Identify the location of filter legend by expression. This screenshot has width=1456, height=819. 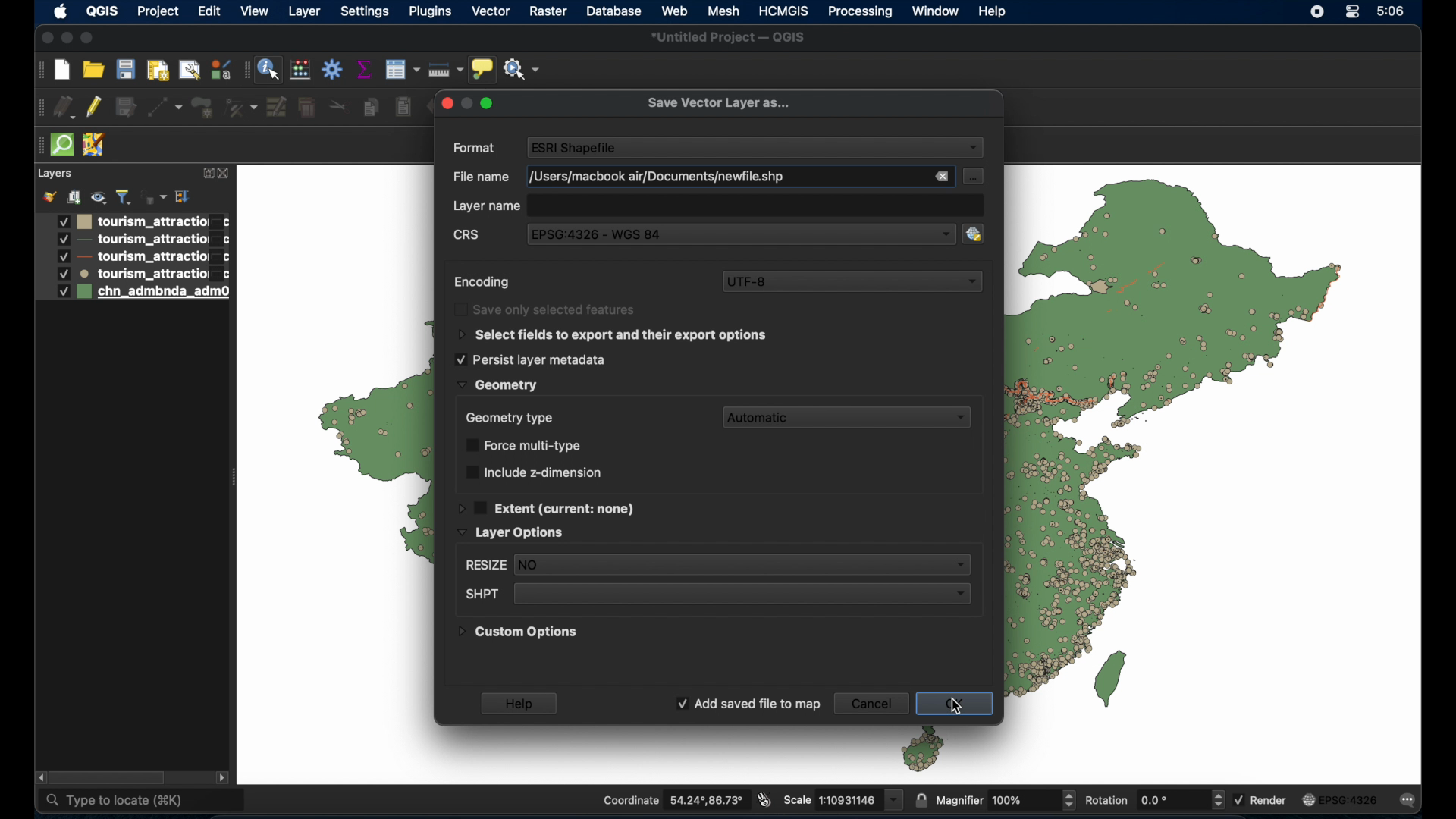
(154, 195).